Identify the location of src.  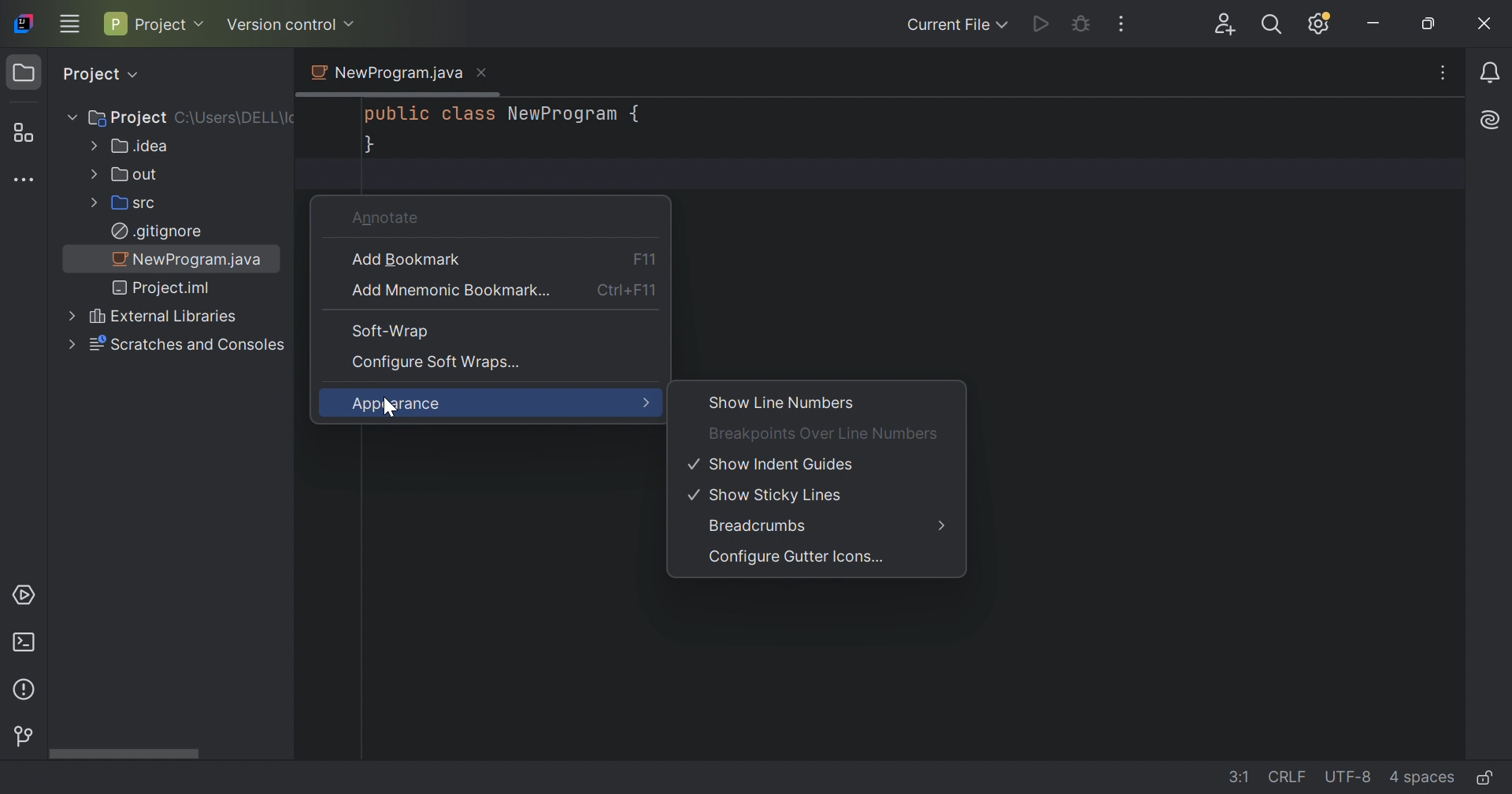
(139, 202).